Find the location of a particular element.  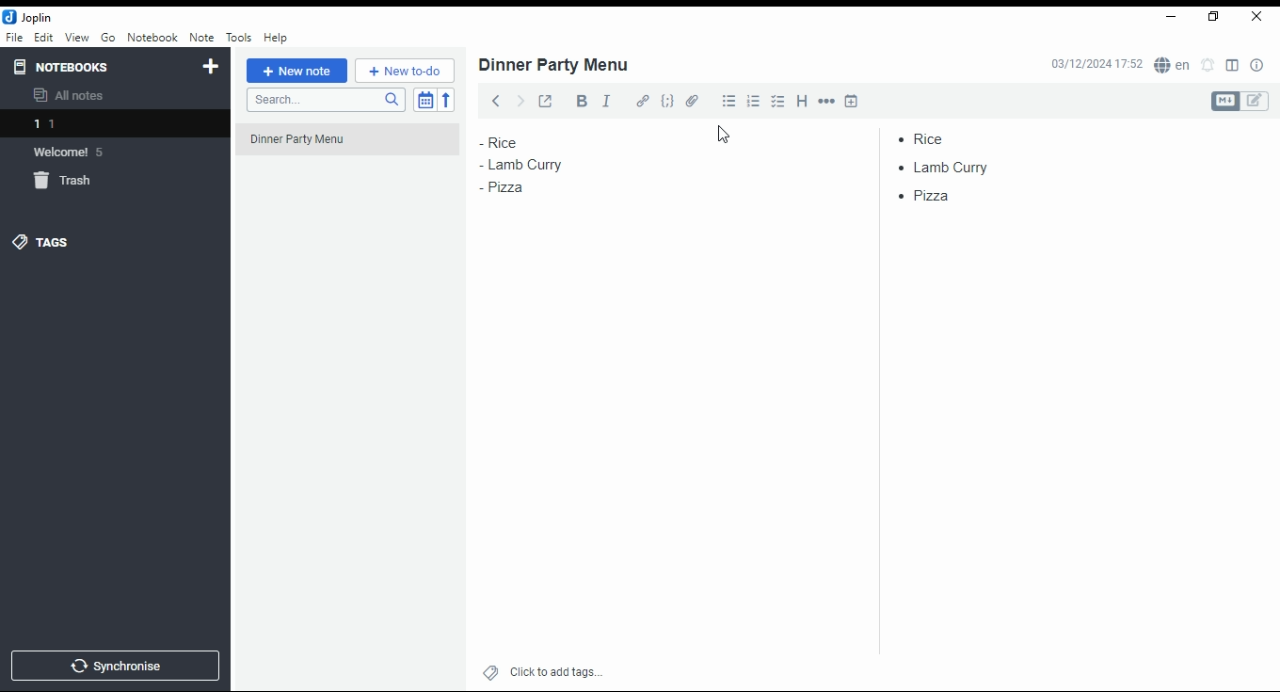

attach file is located at coordinates (695, 100).